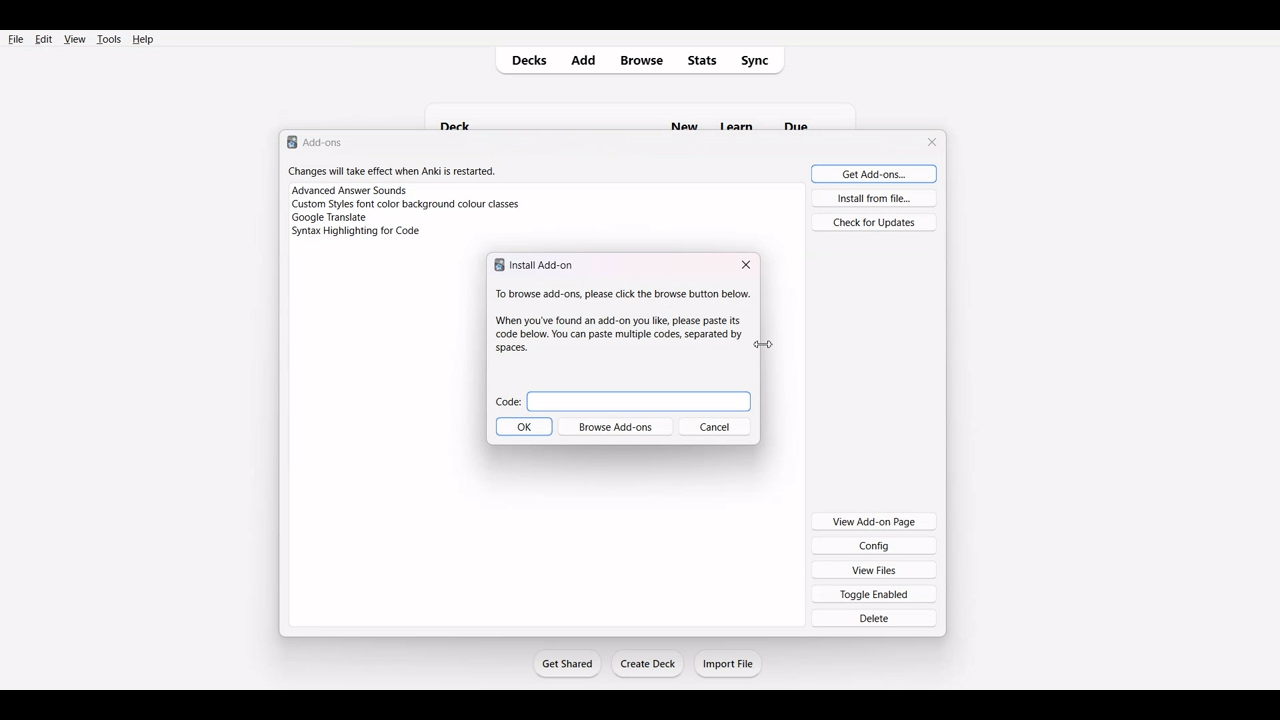 This screenshot has height=720, width=1280. What do you see at coordinates (622, 398) in the screenshot?
I see `Code ` at bounding box center [622, 398].